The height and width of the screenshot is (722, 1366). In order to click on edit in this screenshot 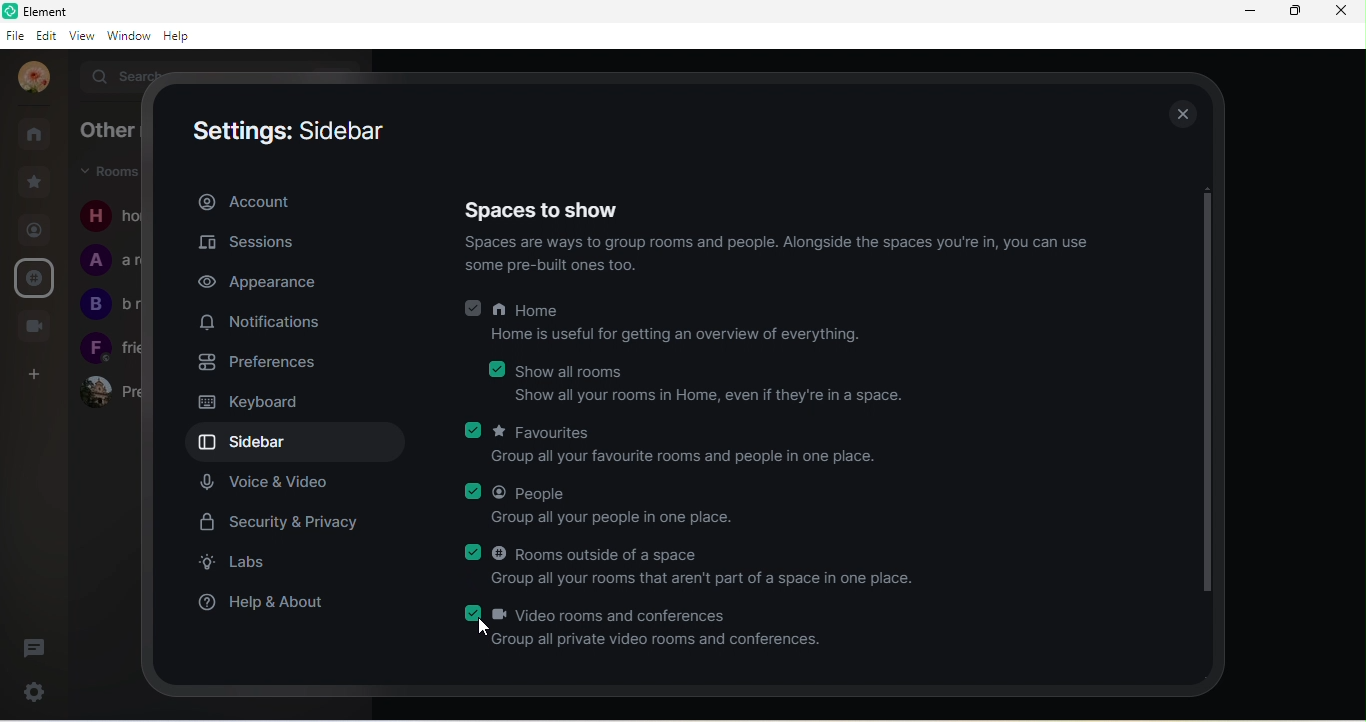, I will do `click(46, 37)`.